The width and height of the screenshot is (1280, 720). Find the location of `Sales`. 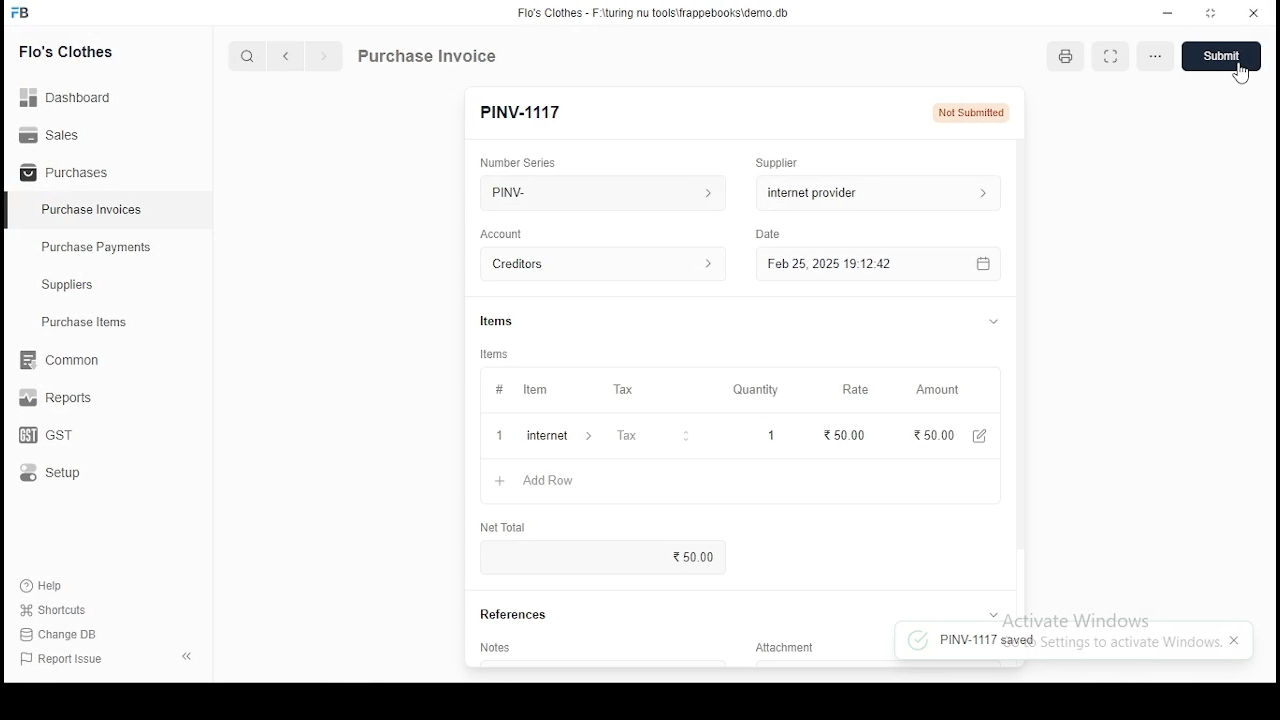

Sales is located at coordinates (55, 133).